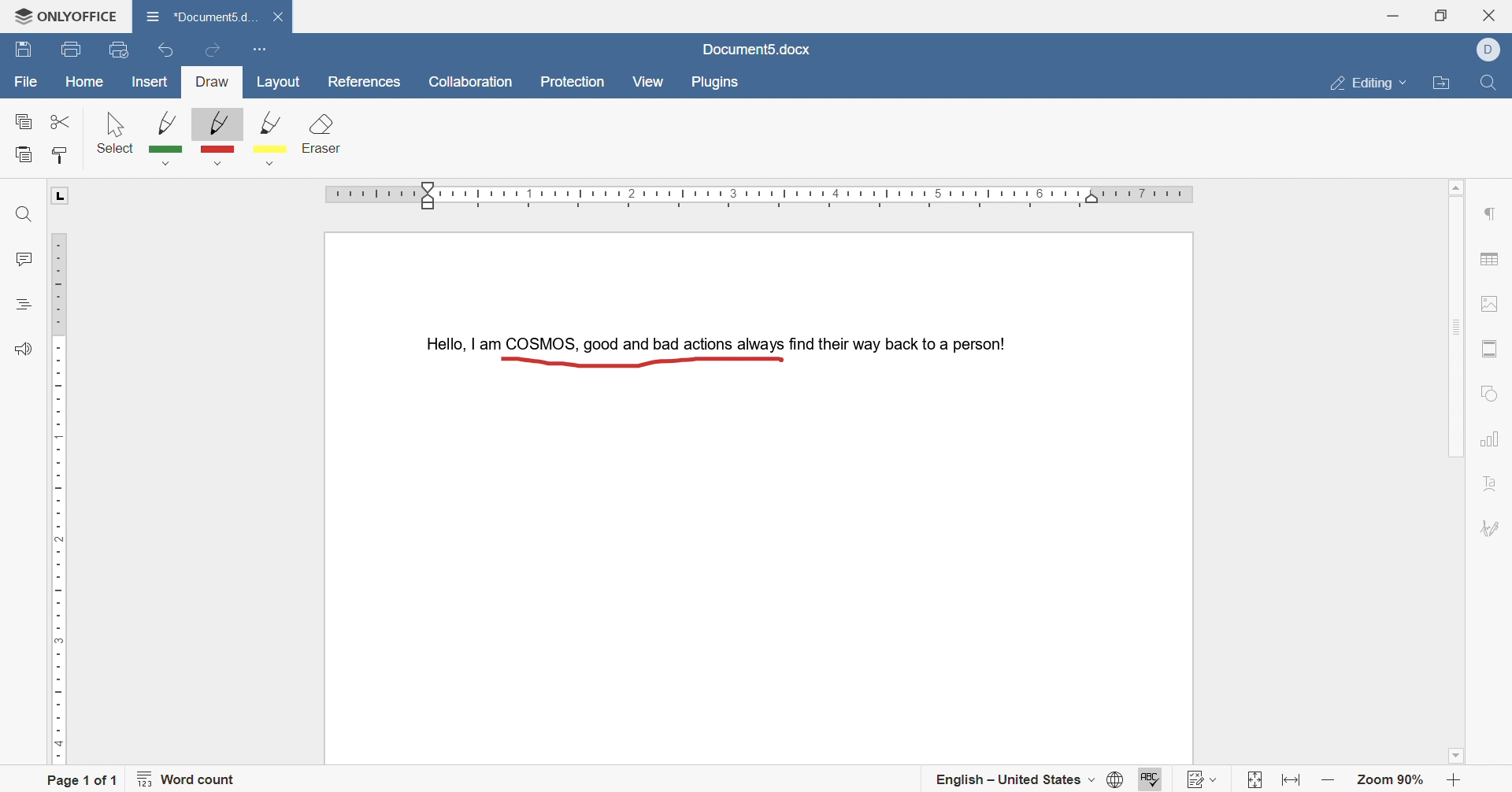 Image resolution: width=1512 pixels, height=792 pixels. Describe the element at coordinates (1489, 350) in the screenshot. I see `header and footer settings` at that location.